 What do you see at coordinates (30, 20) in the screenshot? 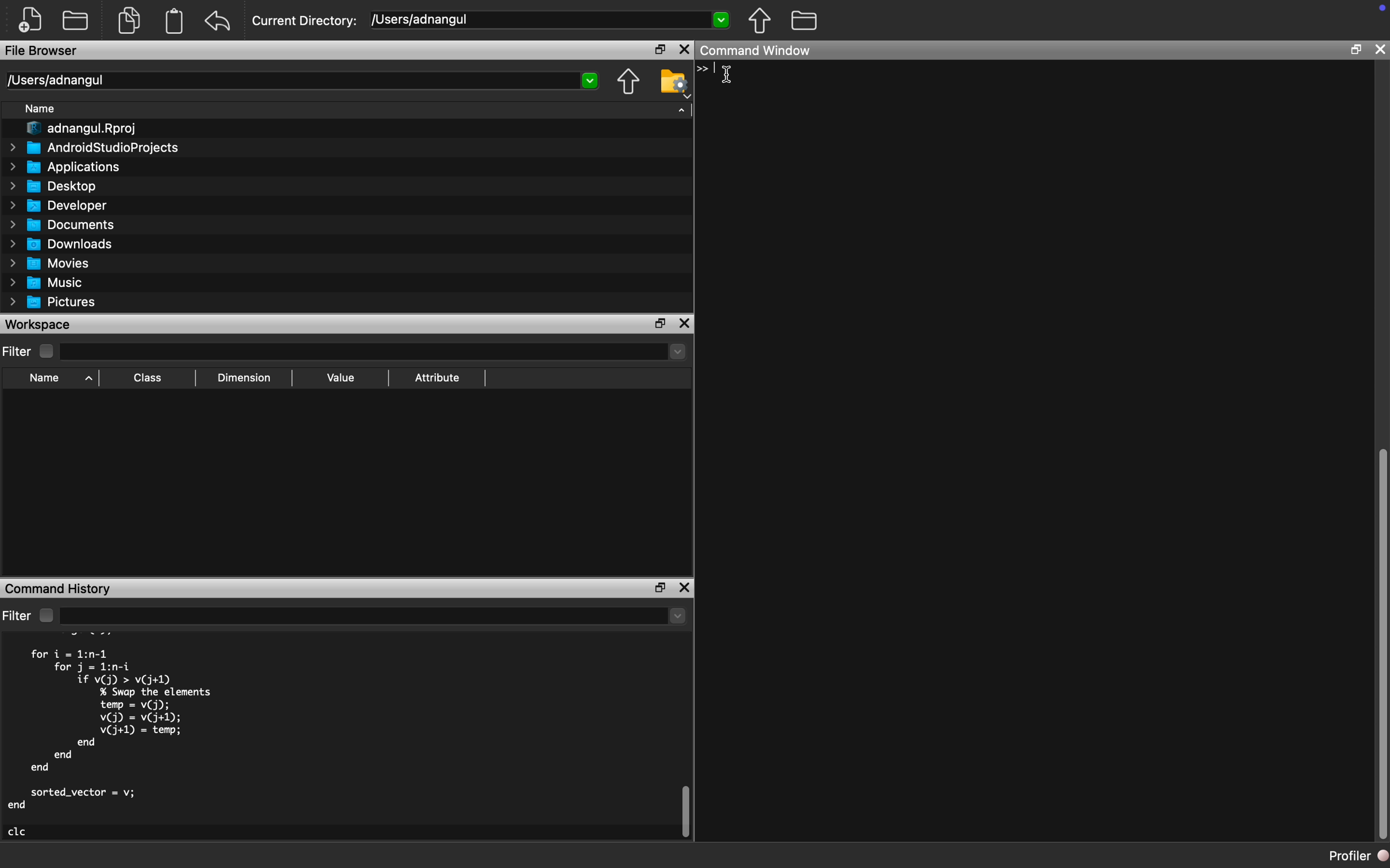
I see `New Document` at bounding box center [30, 20].